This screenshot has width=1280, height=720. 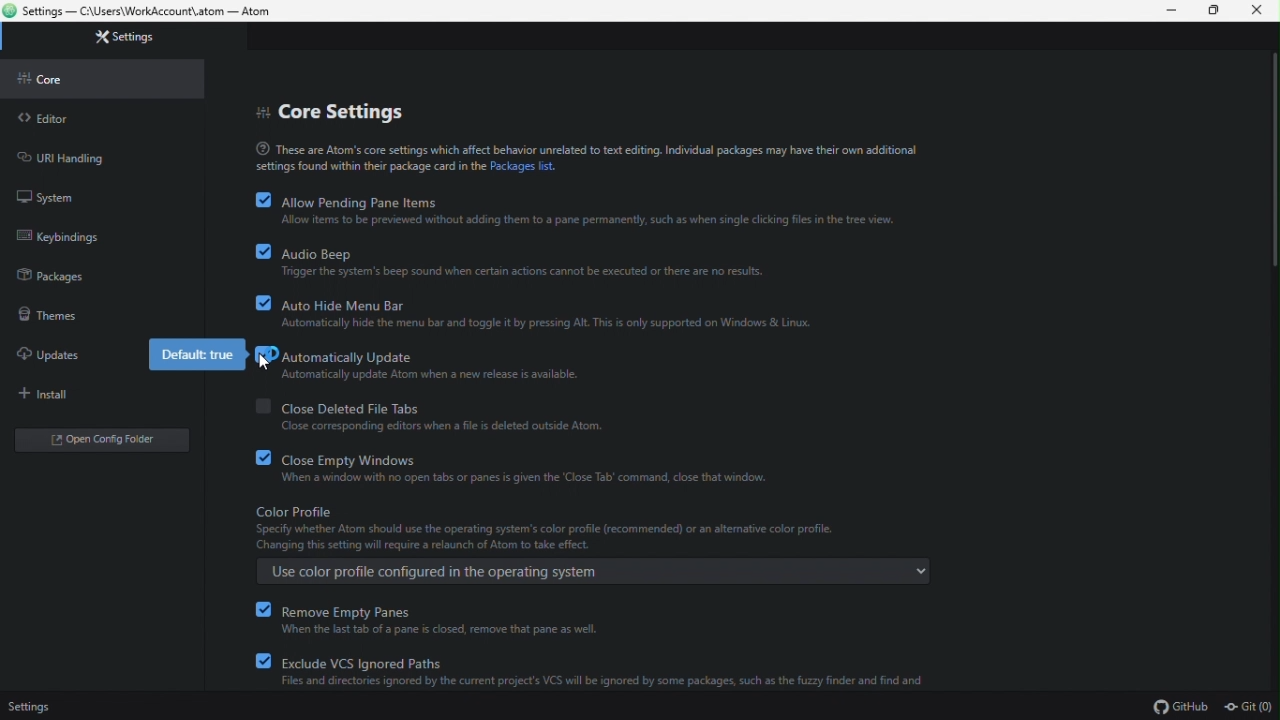 I want to click on keybinding, so click(x=58, y=232).